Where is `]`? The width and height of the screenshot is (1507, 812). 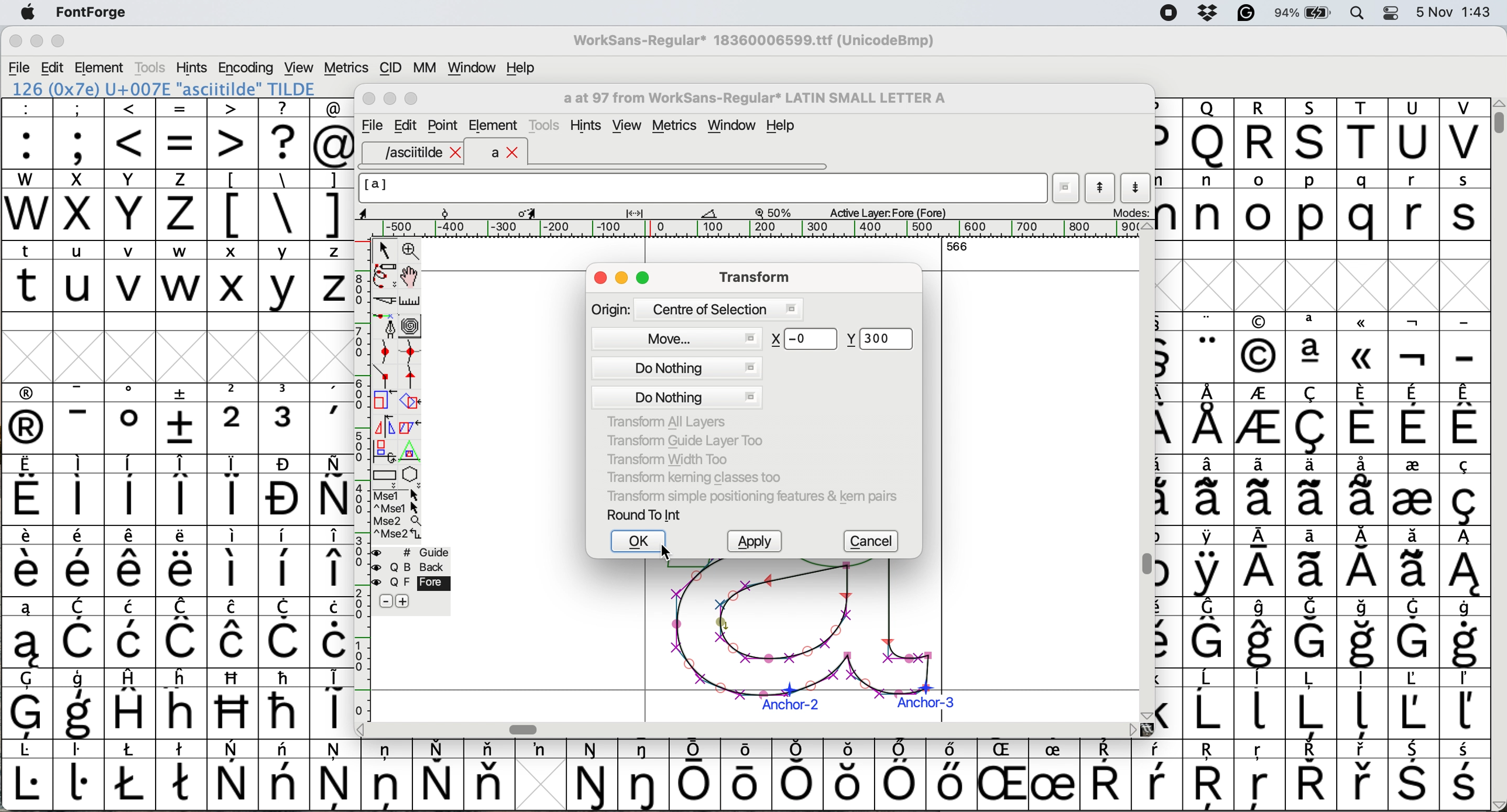
] is located at coordinates (331, 203).